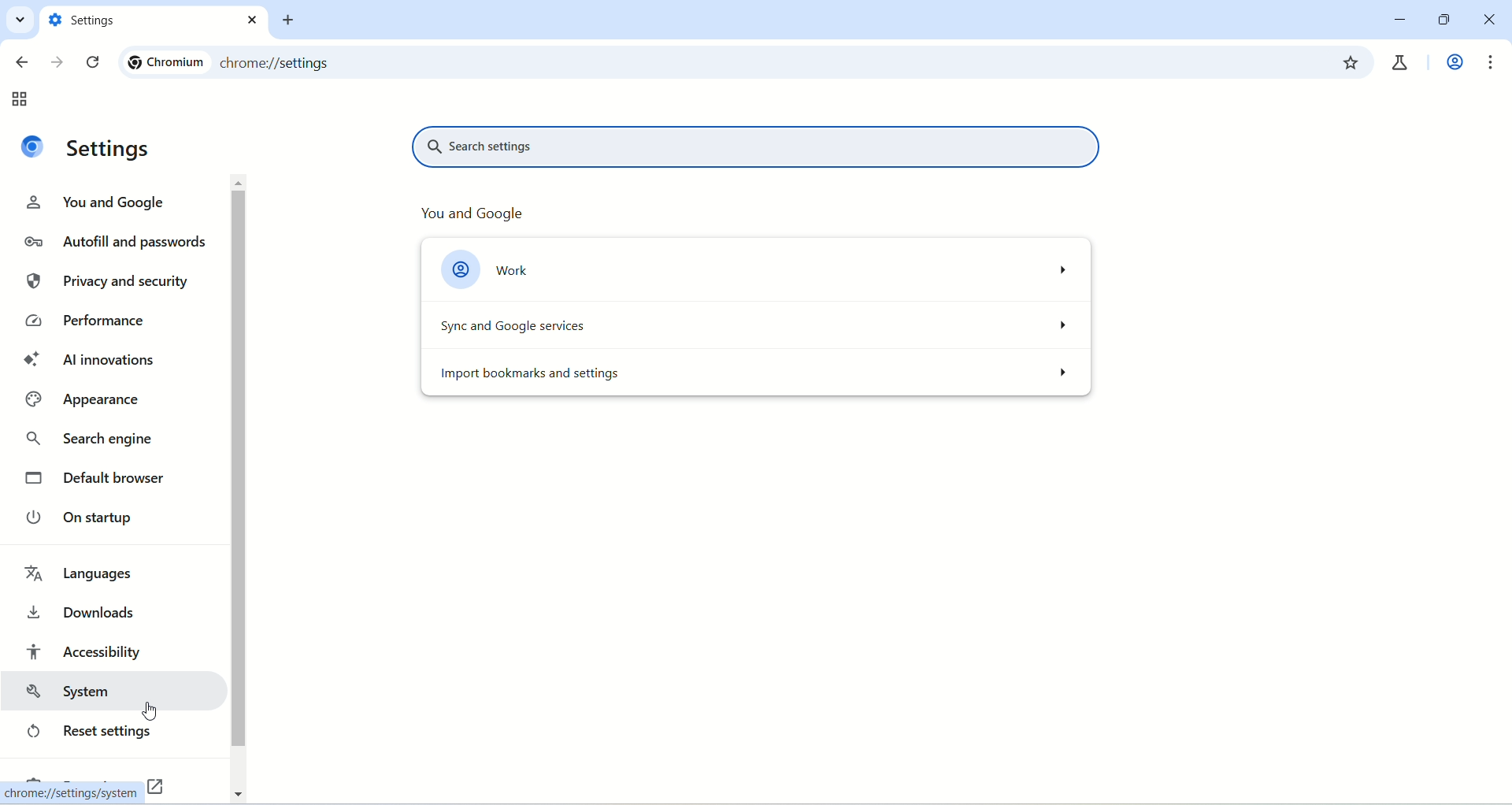  I want to click on go forward, so click(56, 60).